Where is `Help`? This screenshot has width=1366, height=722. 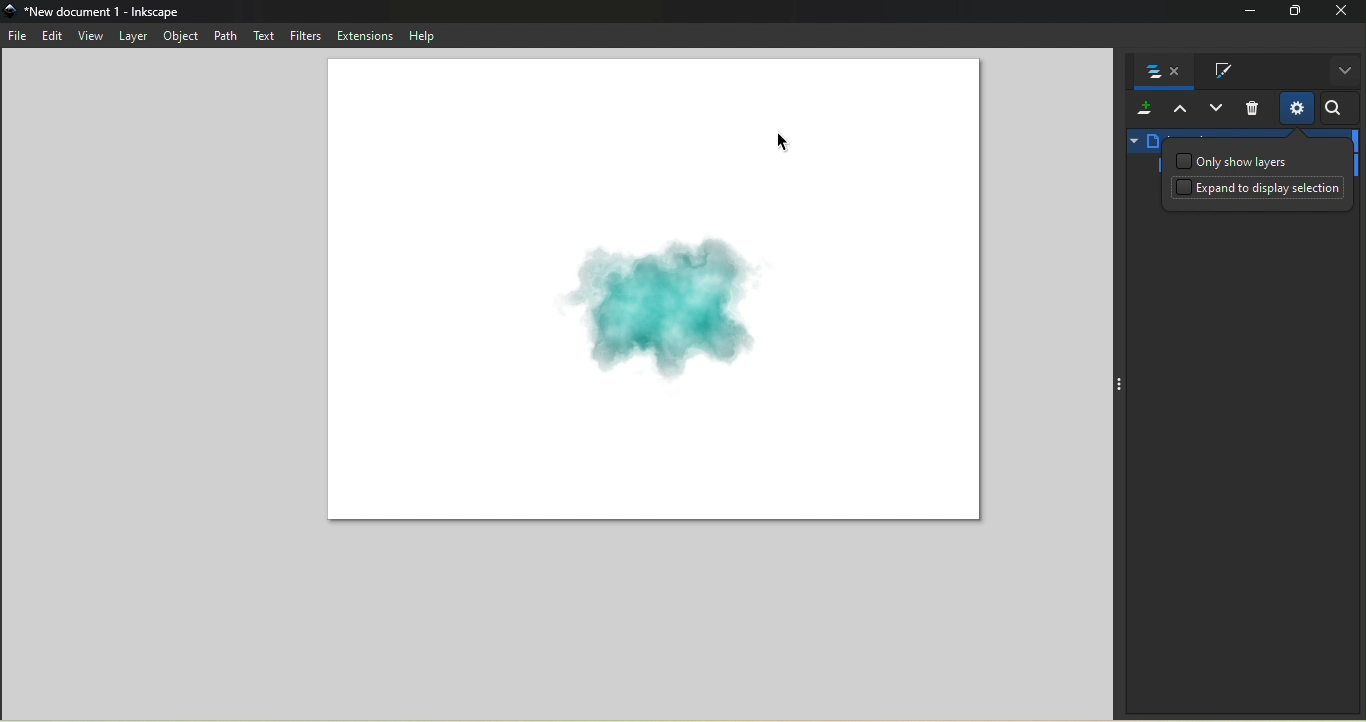
Help is located at coordinates (419, 35).